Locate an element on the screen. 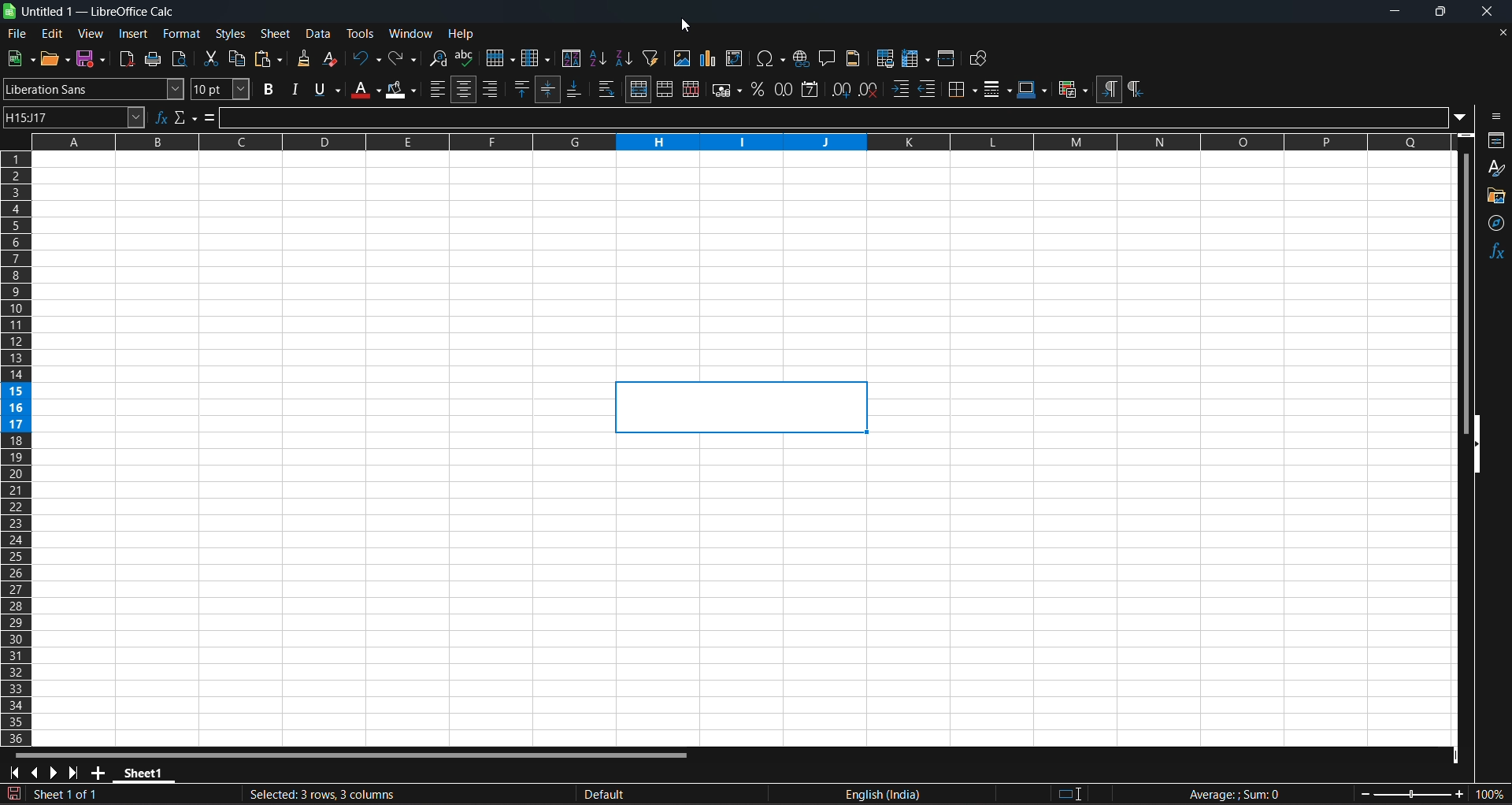  scroll to first sheet is located at coordinates (17, 773).